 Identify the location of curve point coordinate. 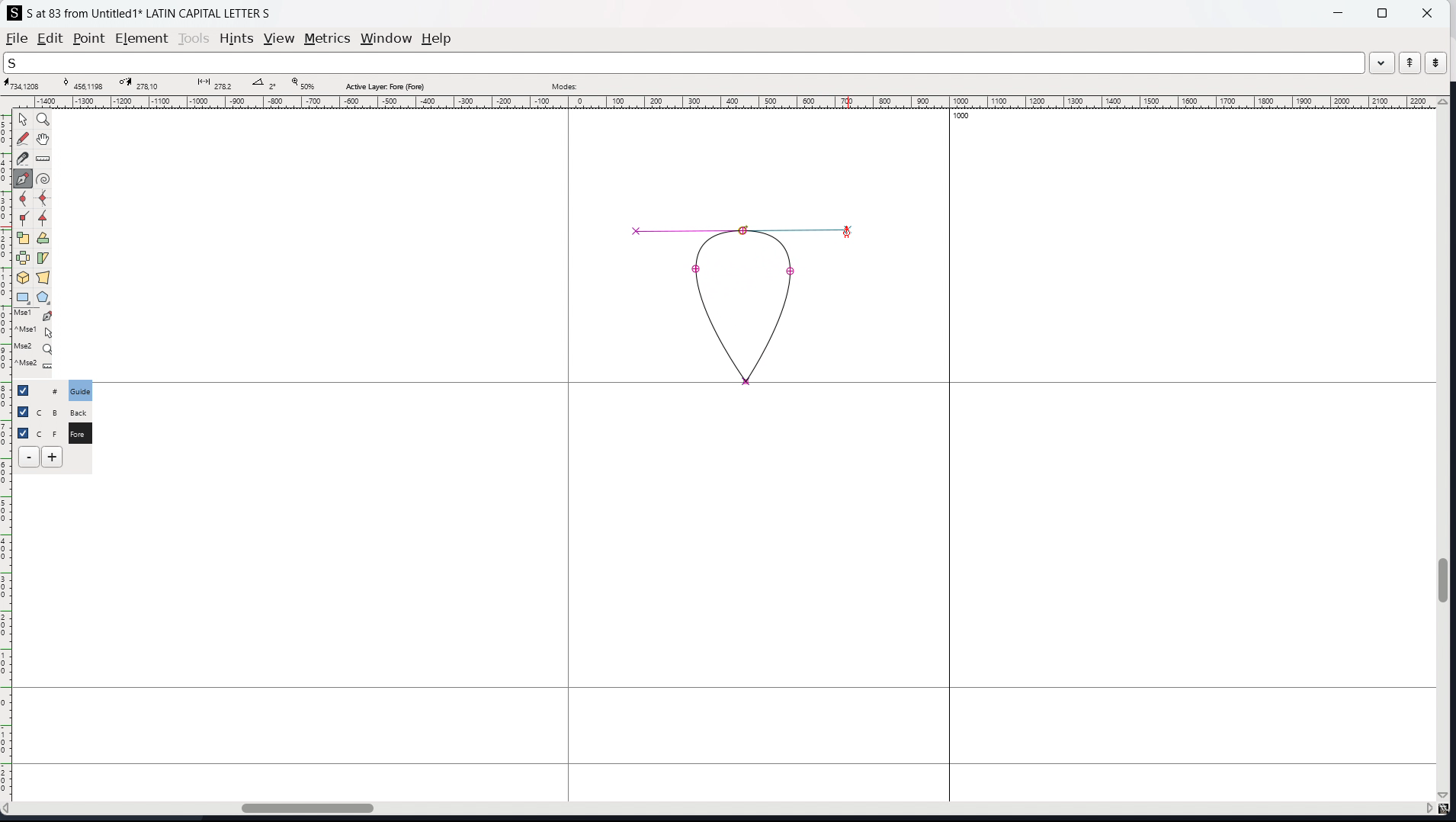
(86, 84).